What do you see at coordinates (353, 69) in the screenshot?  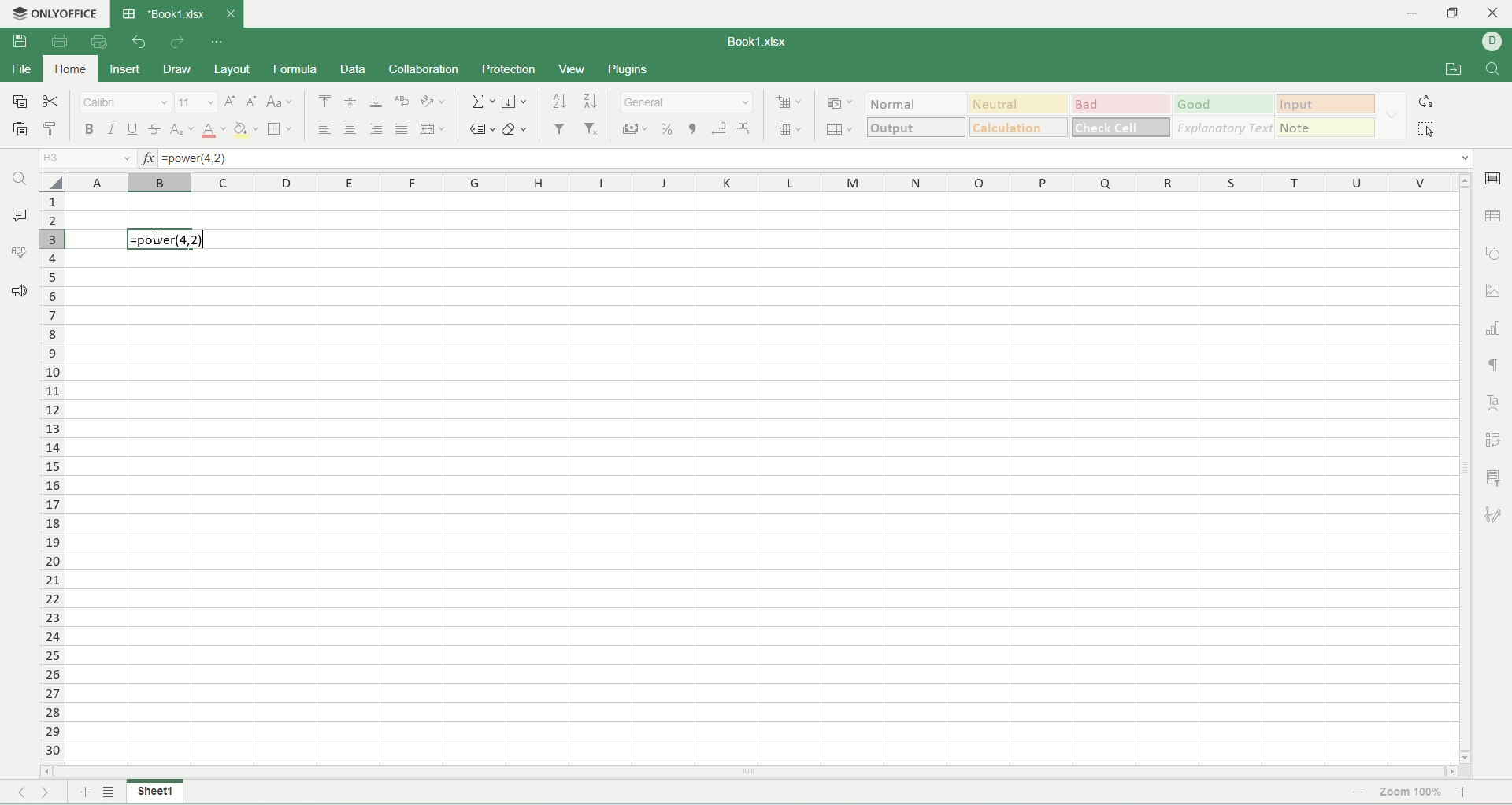 I see `data` at bounding box center [353, 69].